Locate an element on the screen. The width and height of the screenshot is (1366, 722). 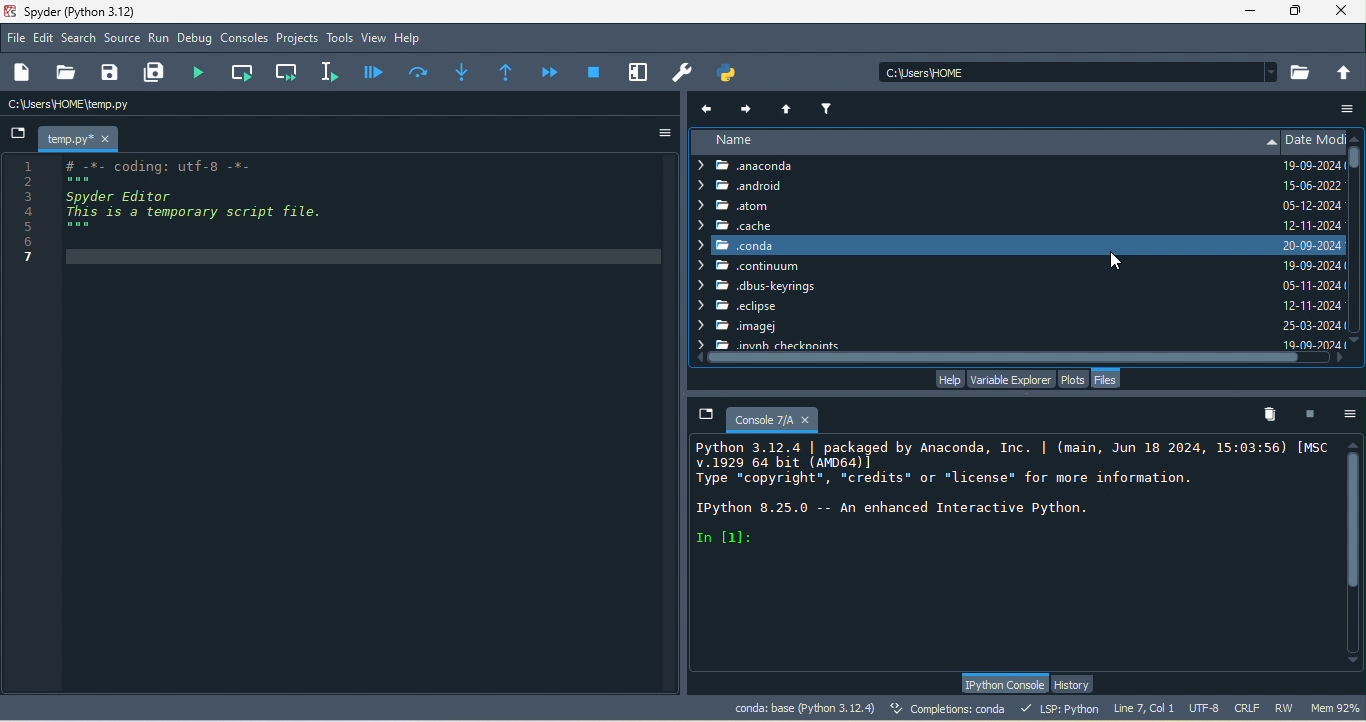
debug is located at coordinates (197, 40).